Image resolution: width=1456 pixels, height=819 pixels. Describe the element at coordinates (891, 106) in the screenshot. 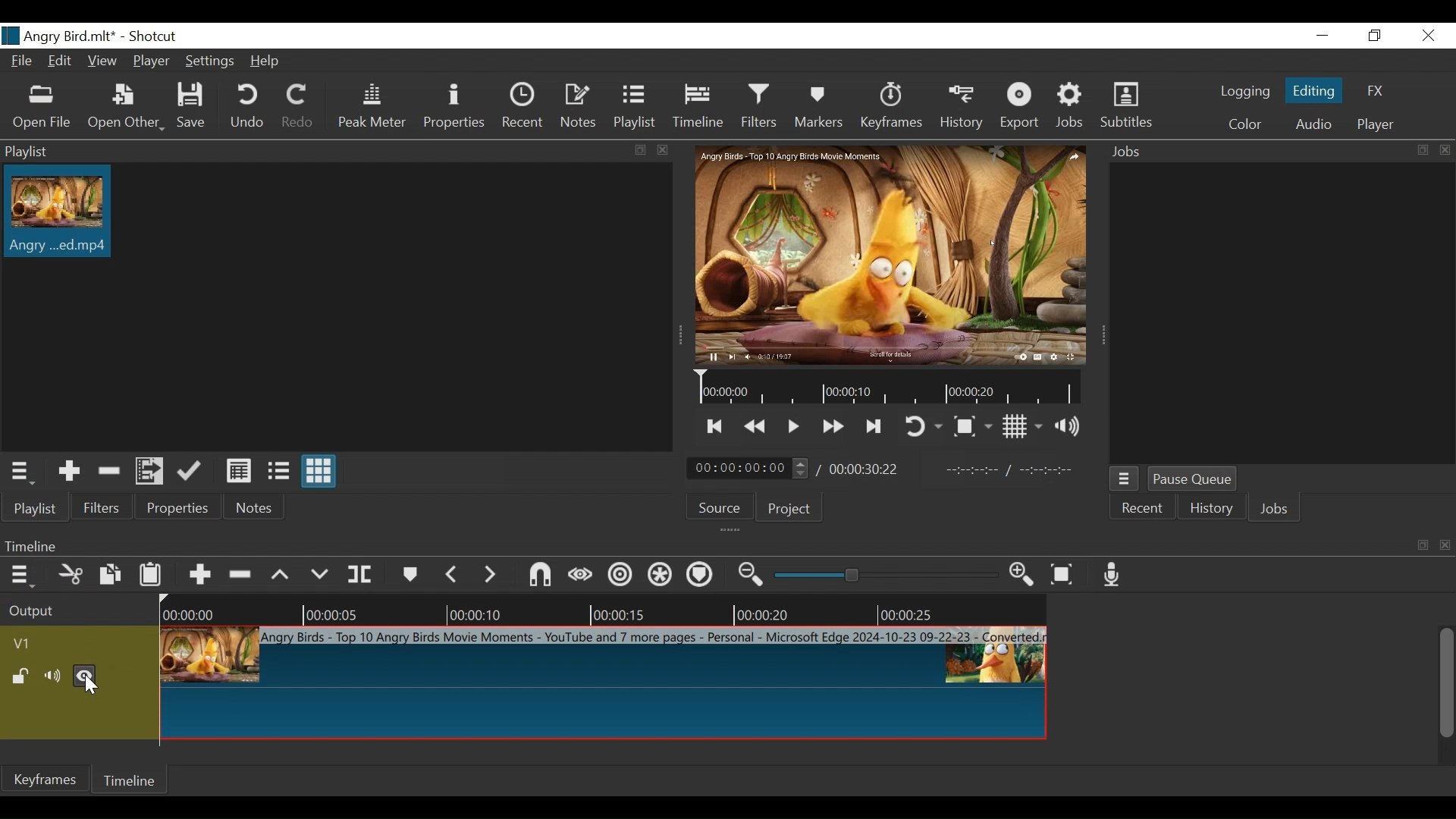

I see `Keyframes` at that location.